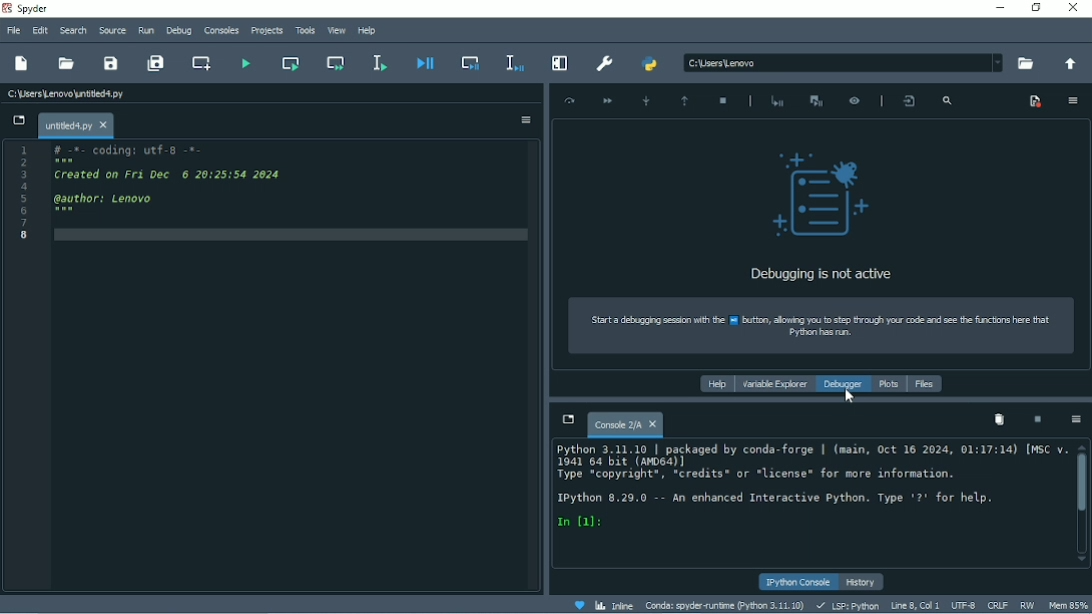  What do you see at coordinates (337, 64) in the screenshot?
I see `Run current cell and go to the next one` at bounding box center [337, 64].